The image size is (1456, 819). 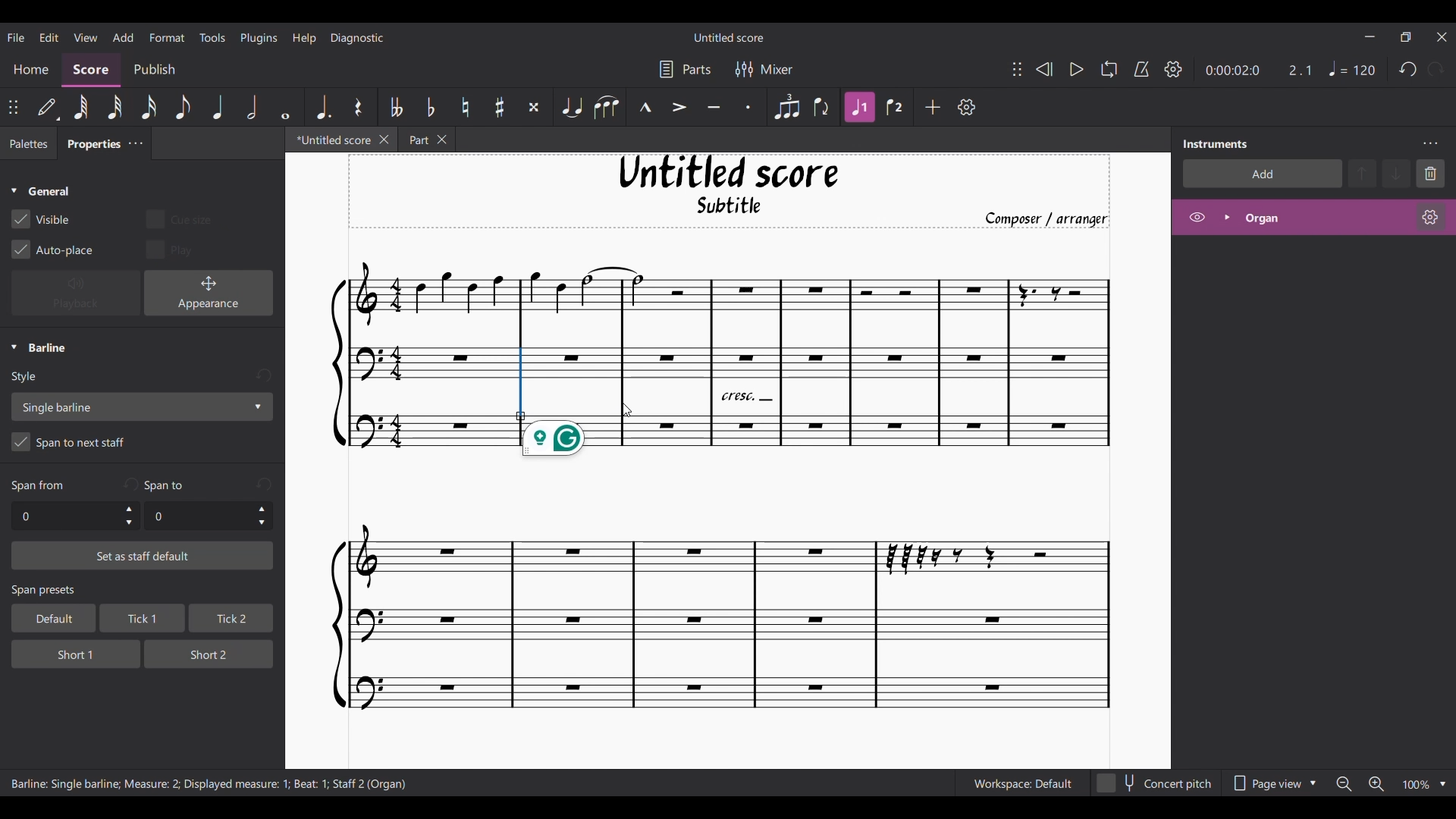 I want to click on Panel title, so click(x=1216, y=143).